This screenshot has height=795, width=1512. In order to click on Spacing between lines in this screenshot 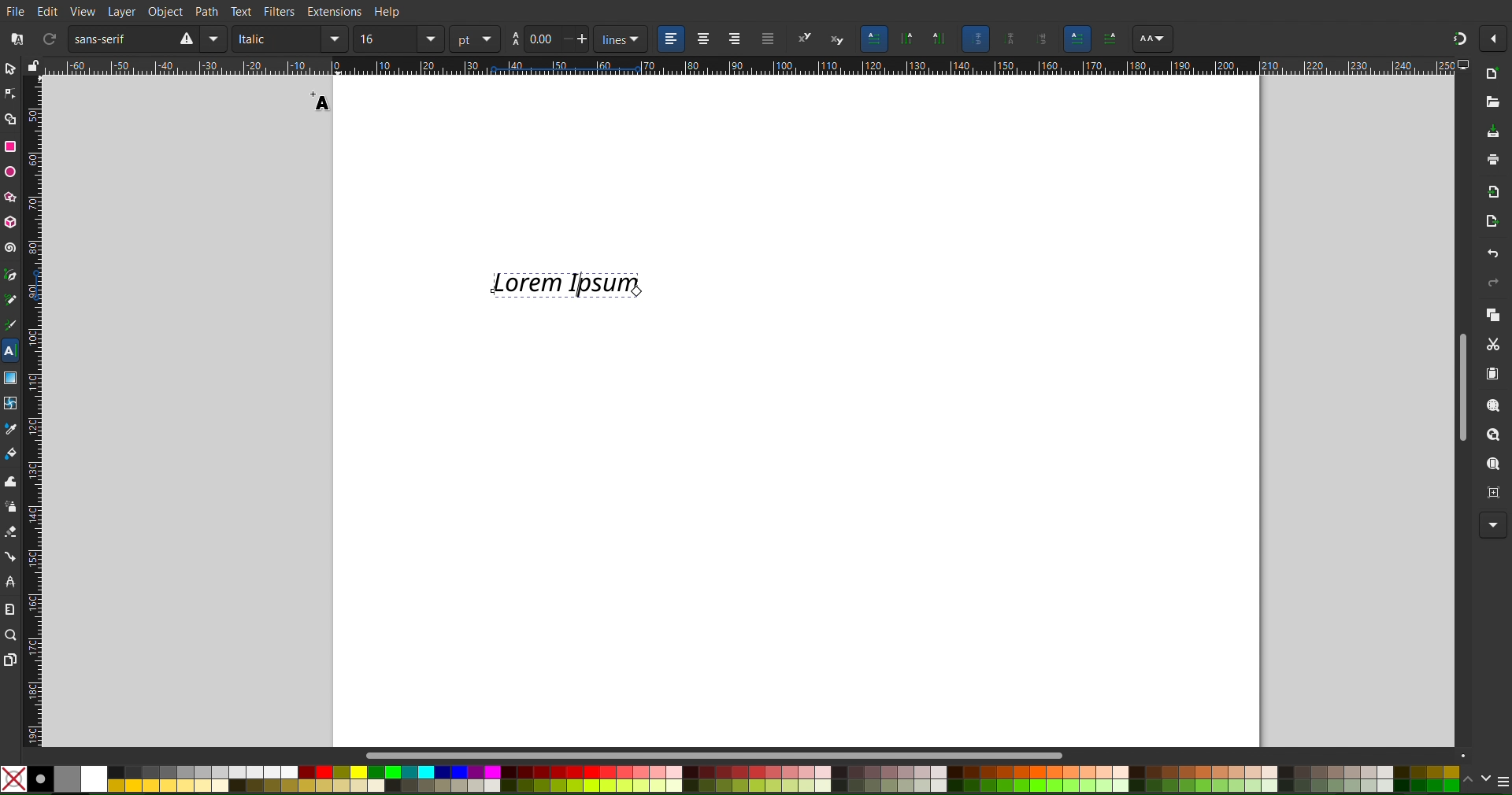, I will do `click(551, 39)`.